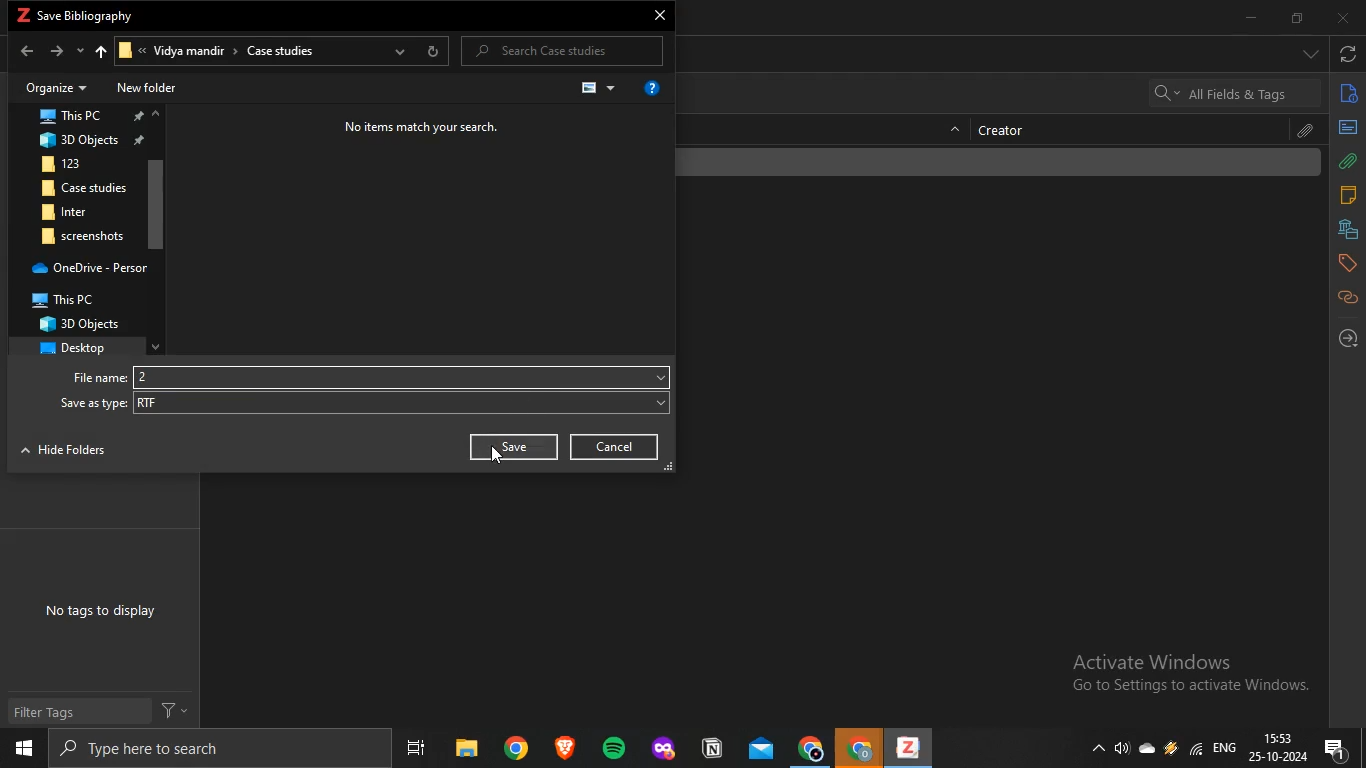  I want to click on desktop, so click(97, 350).